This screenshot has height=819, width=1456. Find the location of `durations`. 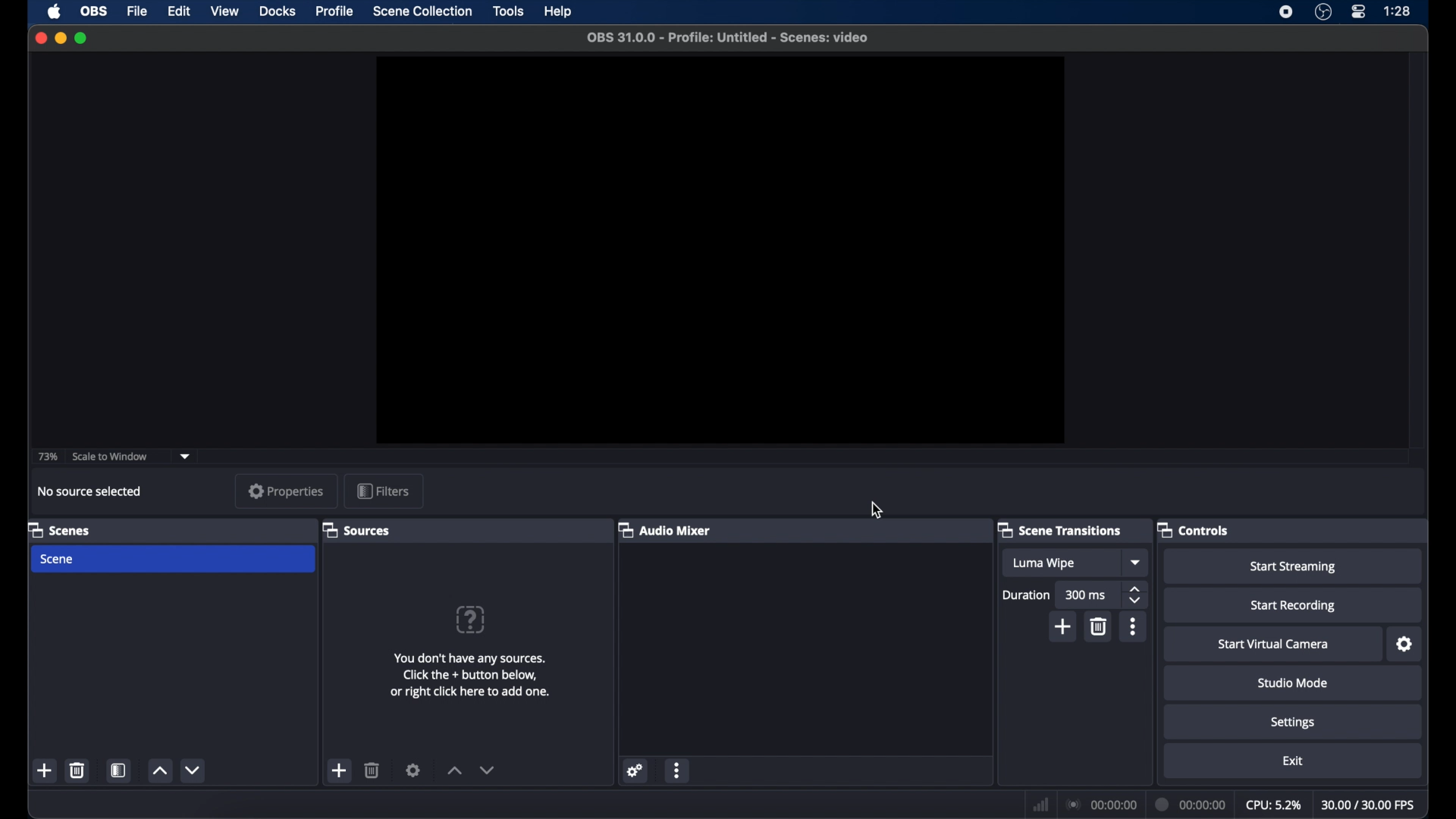

durations is located at coordinates (1026, 595).